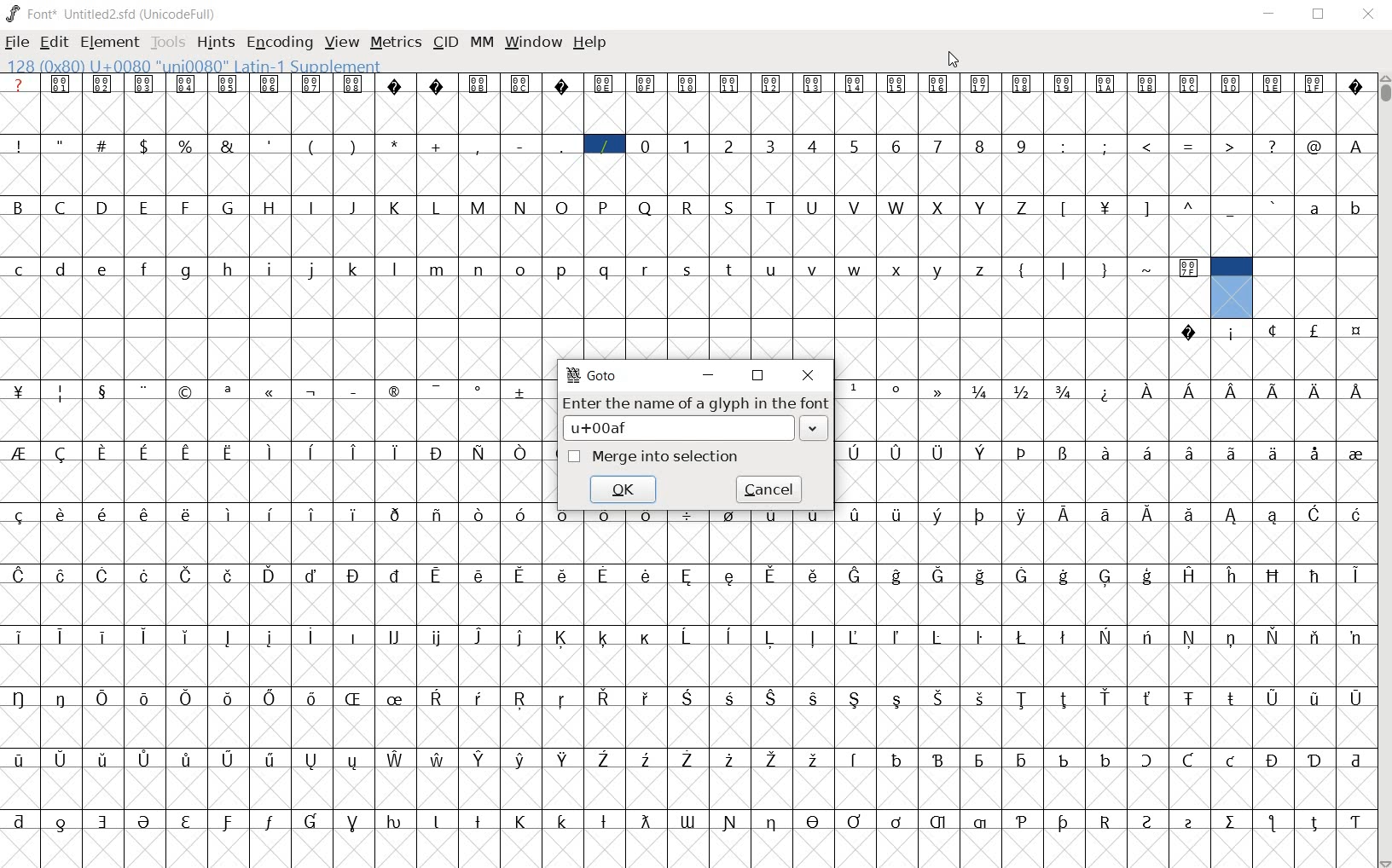 This screenshot has height=868, width=1392. I want to click on T, so click(771, 206).